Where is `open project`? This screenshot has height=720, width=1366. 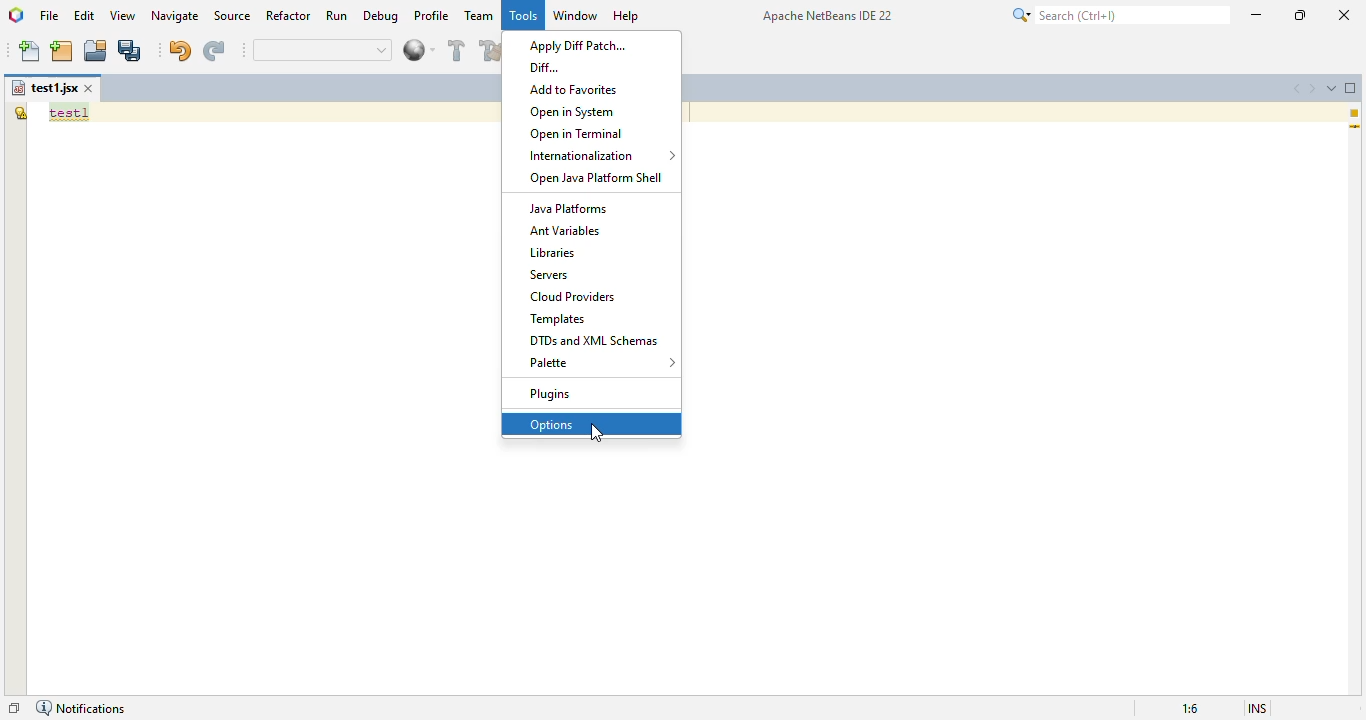
open project is located at coordinates (96, 51).